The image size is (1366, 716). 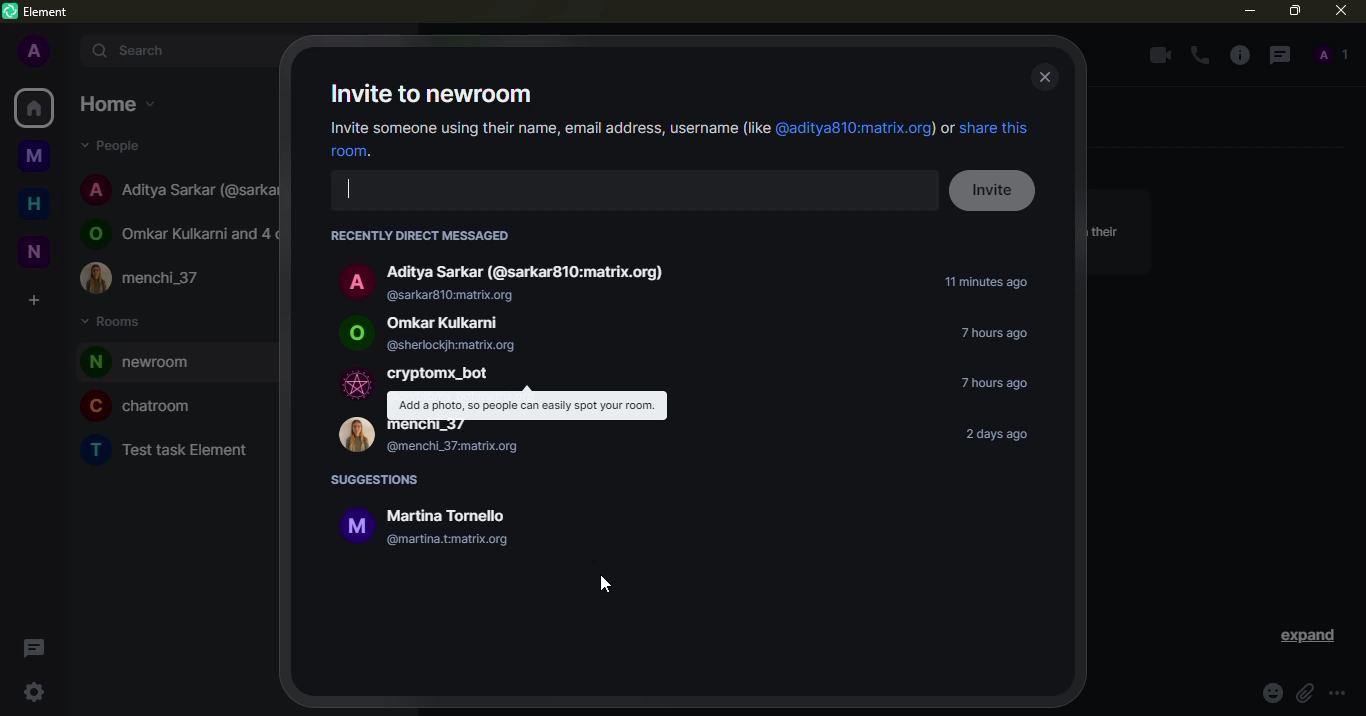 What do you see at coordinates (1156, 55) in the screenshot?
I see `video call` at bounding box center [1156, 55].